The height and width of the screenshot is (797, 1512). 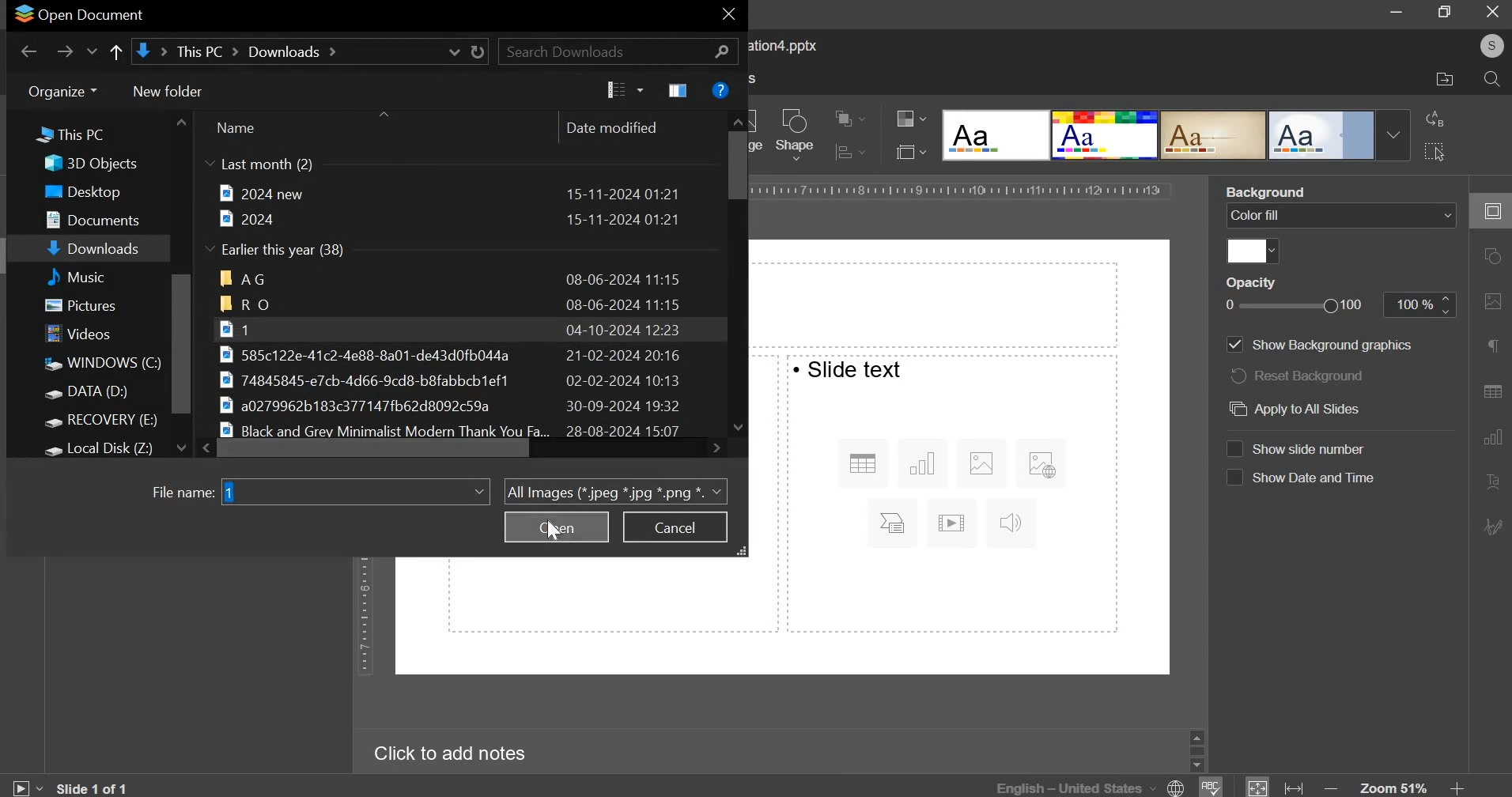 I want to click on design, so click(x=1323, y=136).